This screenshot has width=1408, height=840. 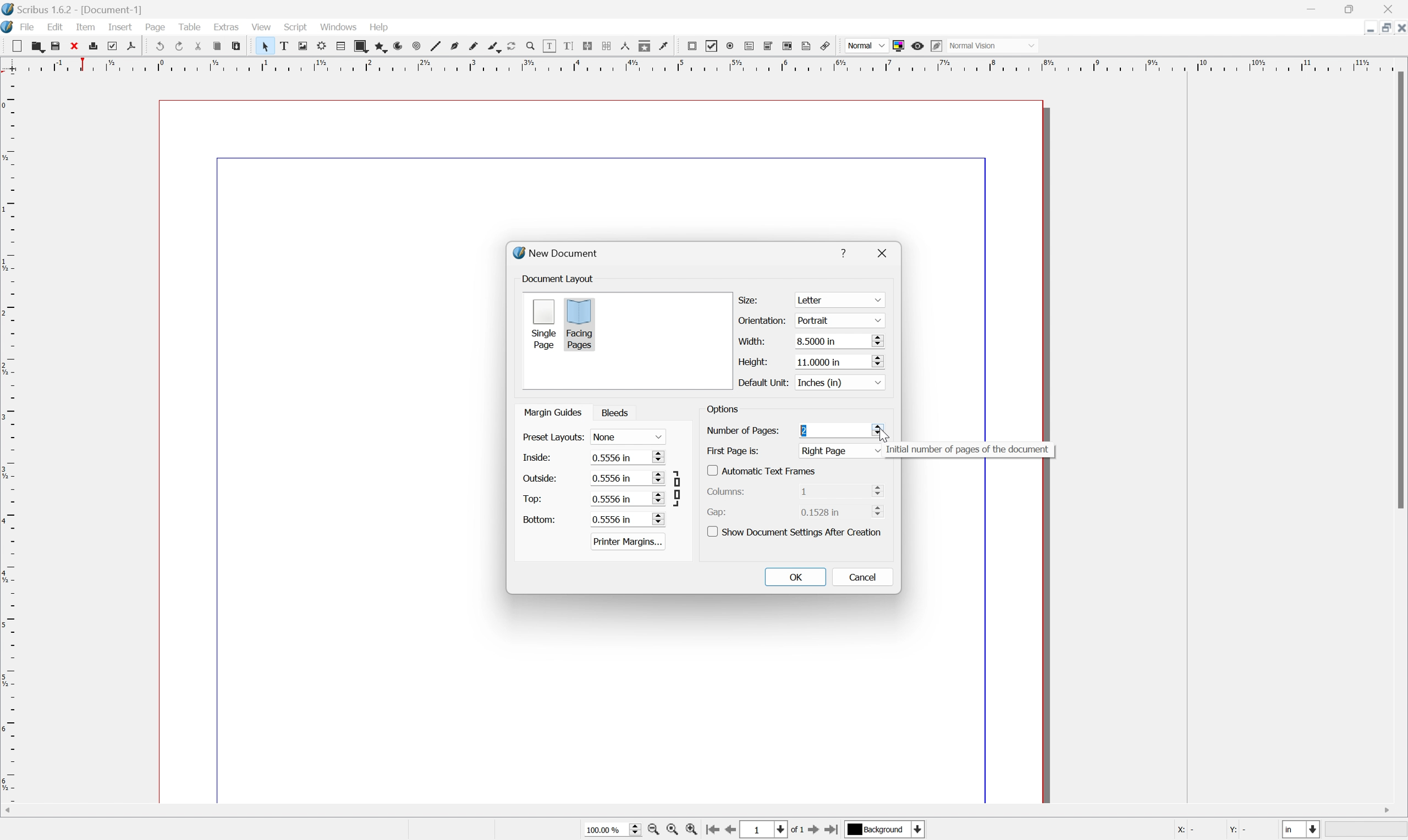 What do you see at coordinates (159, 46) in the screenshot?
I see `Undo` at bounding box center [159, 46].